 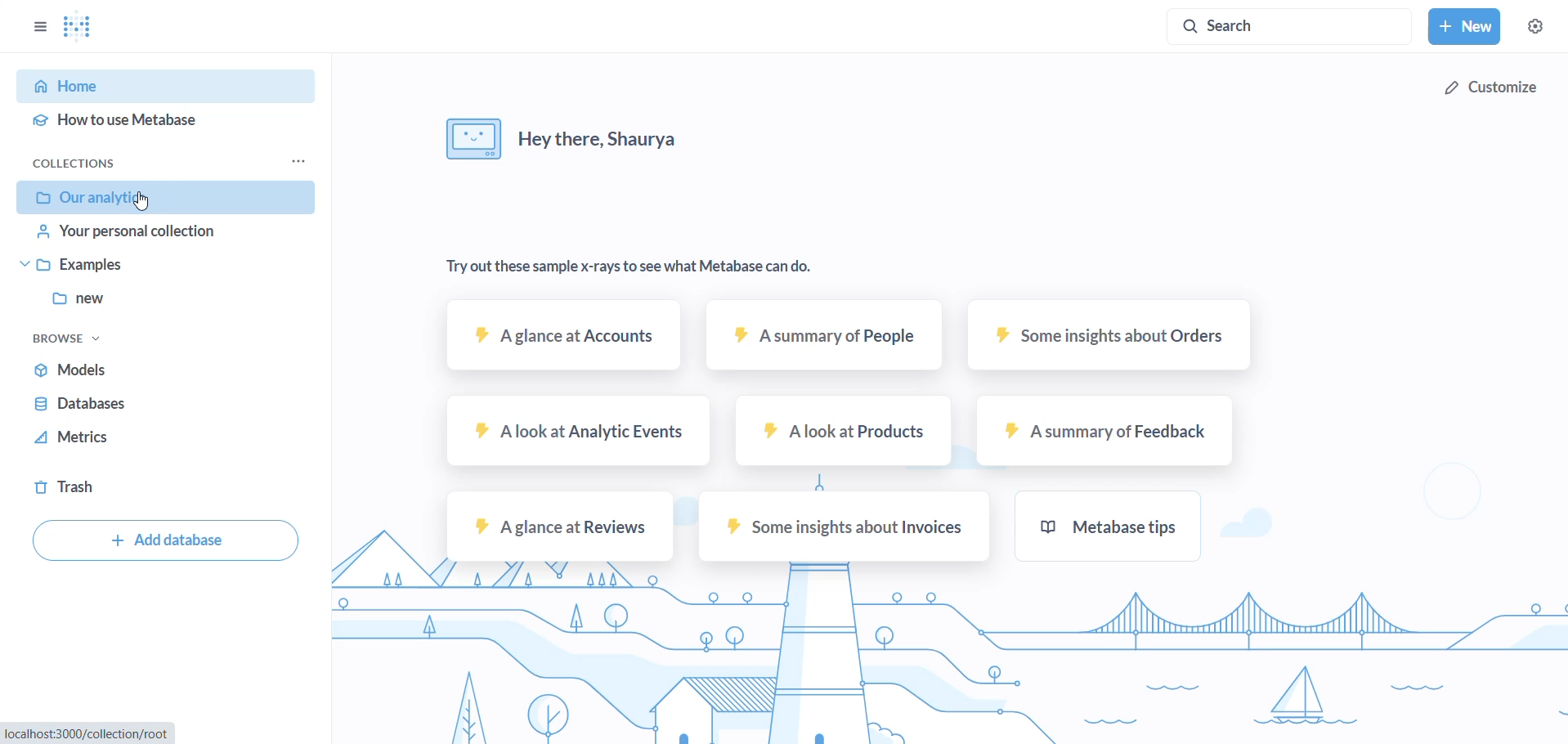 I want to click on A glance at Accounts sample, so click(x=552, y=342).